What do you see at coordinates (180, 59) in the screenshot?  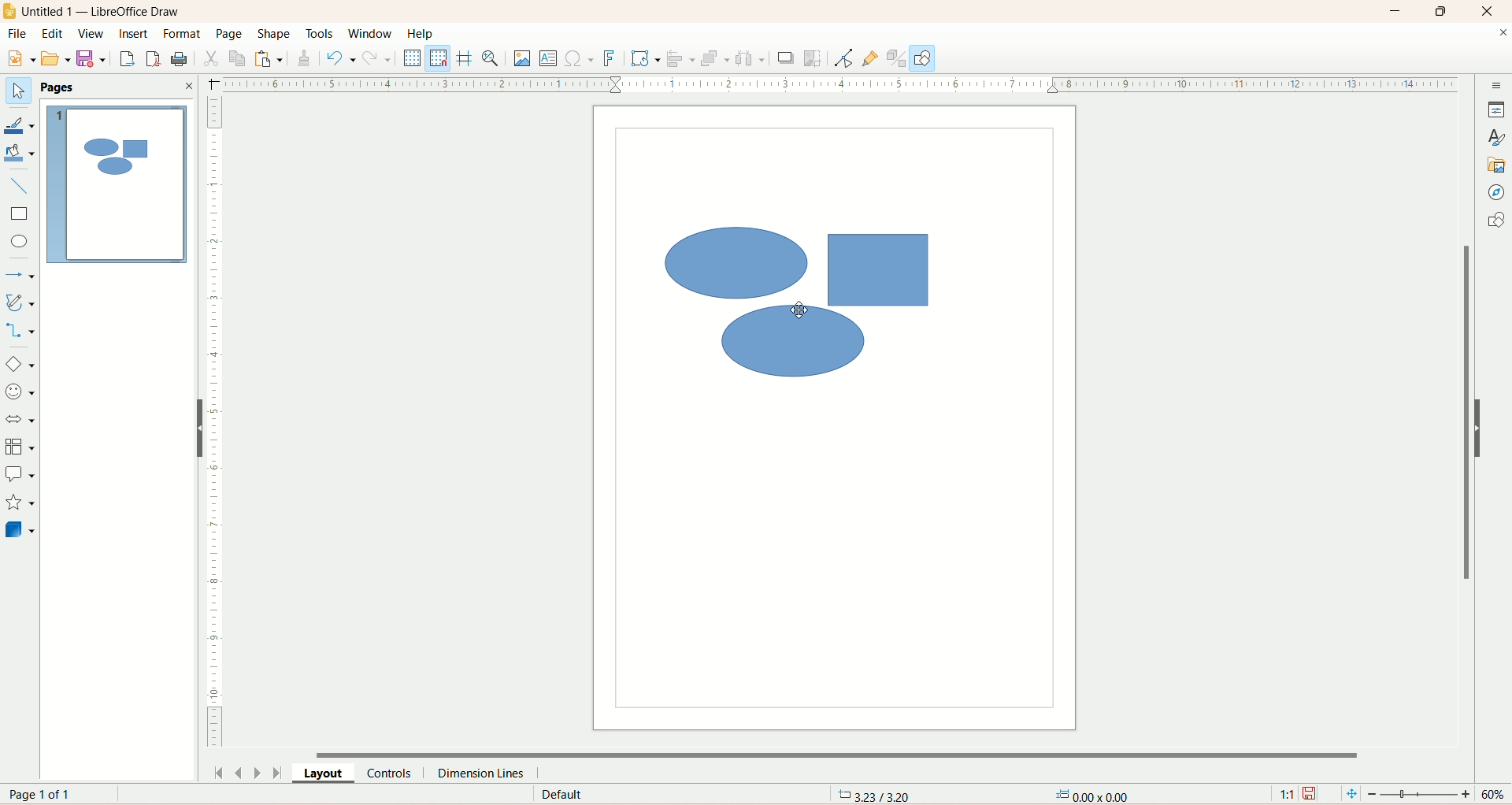 I see `print` at bounding box center [180, 59].